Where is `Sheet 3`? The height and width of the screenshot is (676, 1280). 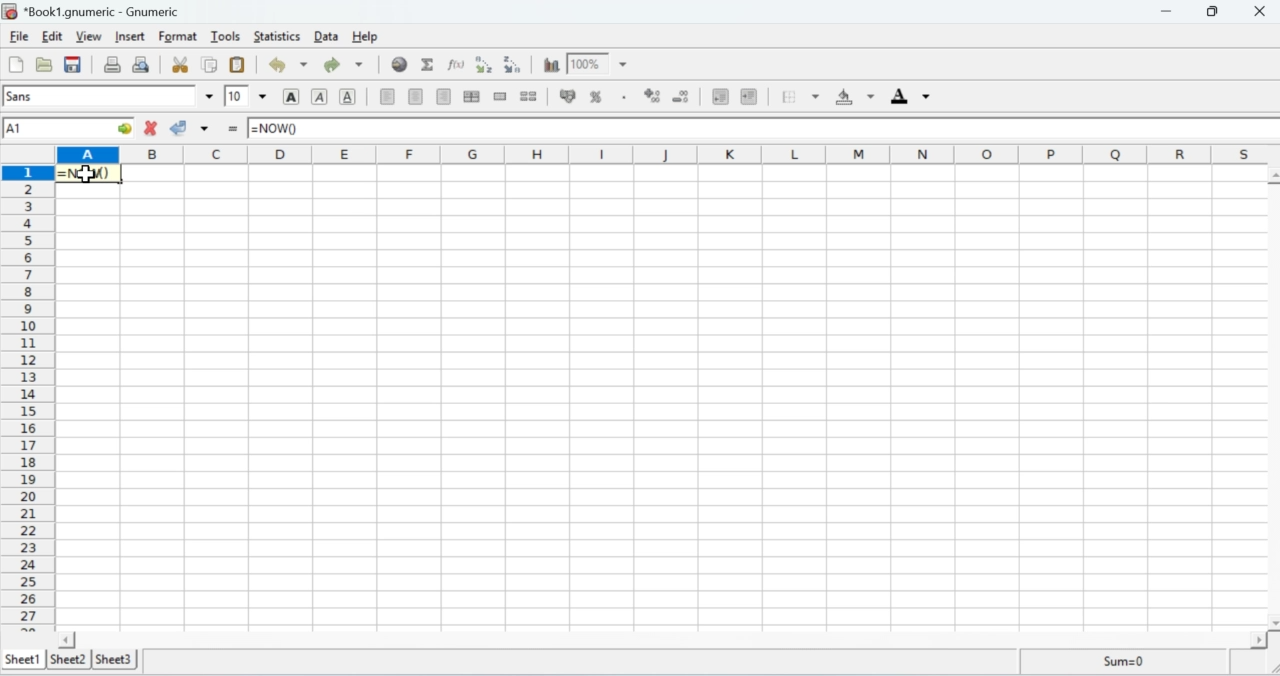
Sheet 3 is located at coordinates (116, 659).